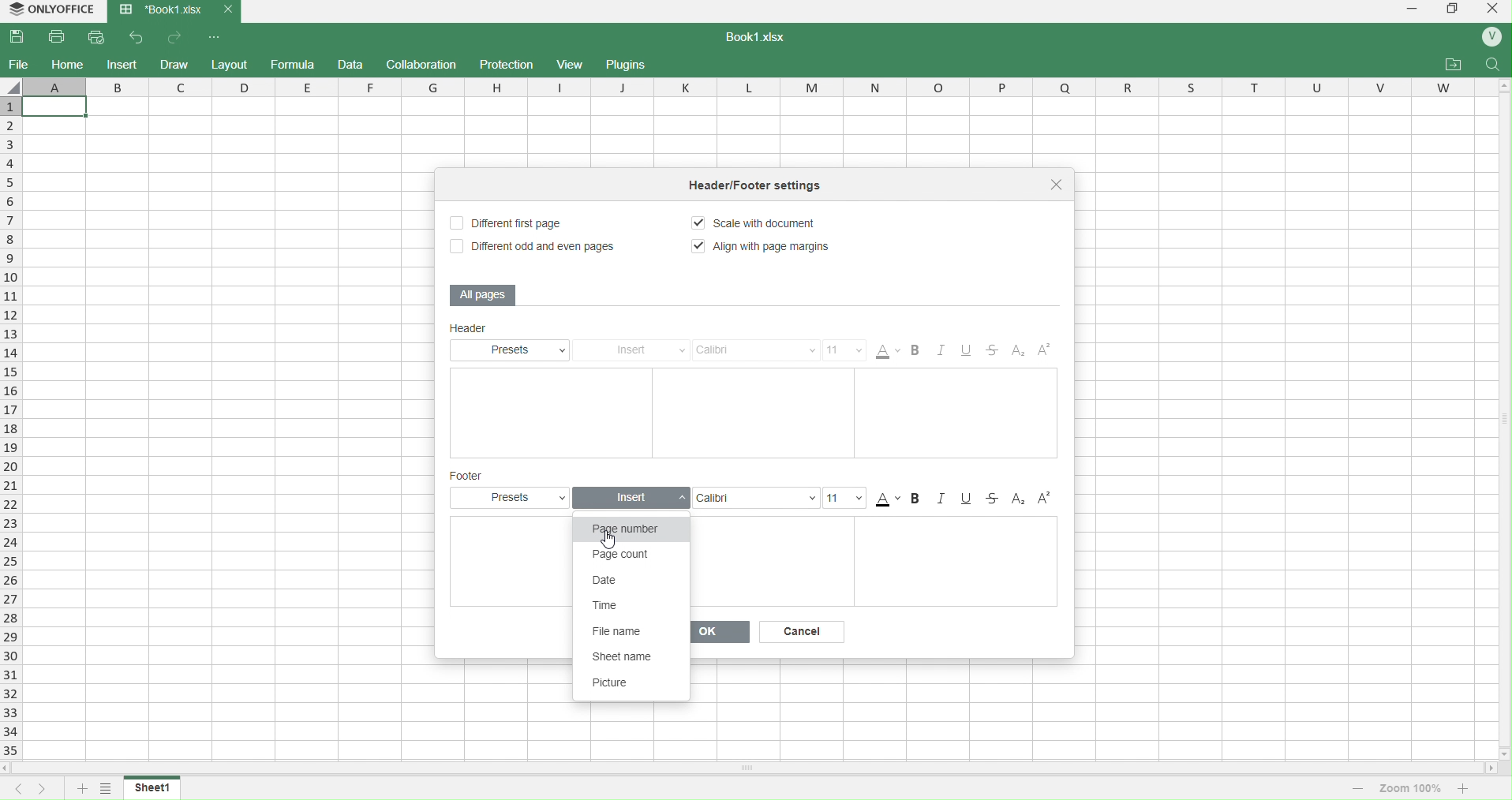 The width and height of the screenshot is (1512, 800). Describe the element at coordinates (764, 225) in the screenshot. I see `Scale document` at that location.